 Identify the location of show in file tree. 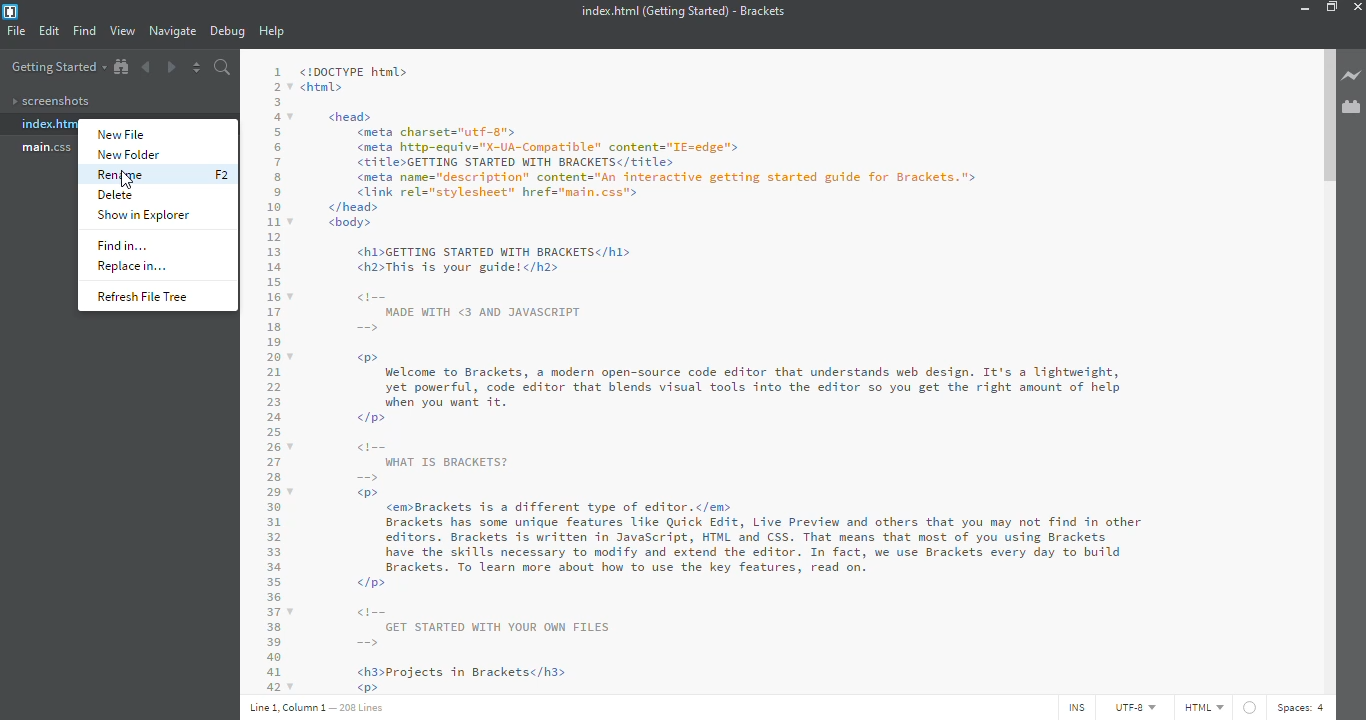
(121, 67).